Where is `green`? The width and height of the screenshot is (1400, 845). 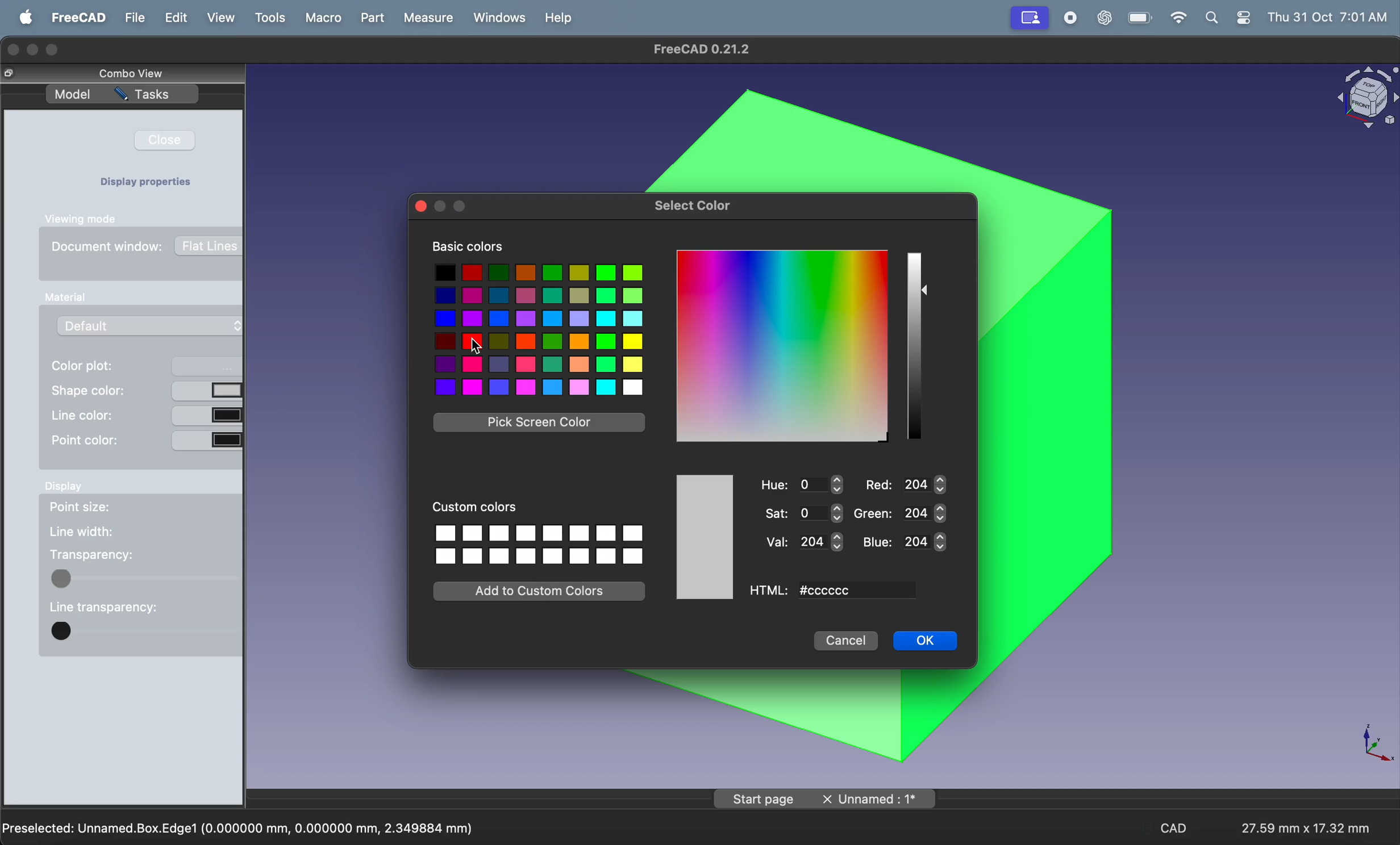 green is located at coordinates (905, 512).